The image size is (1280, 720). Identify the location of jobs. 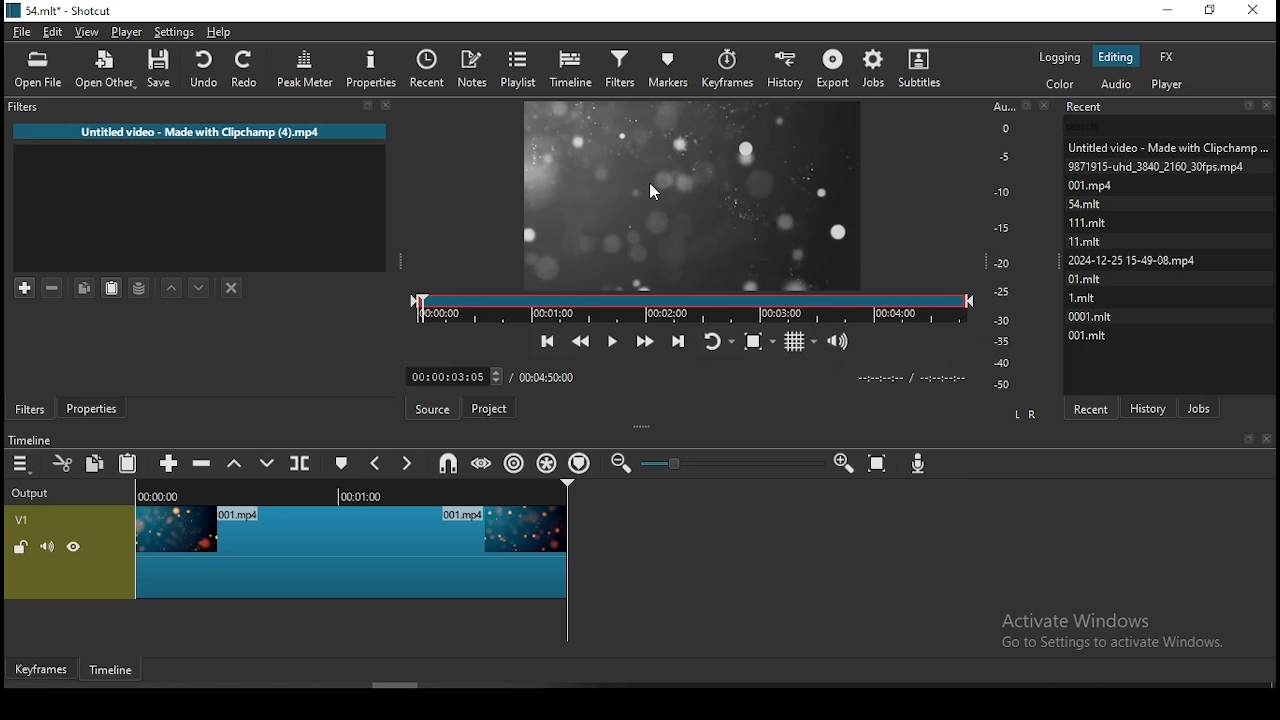
(1201, 408).